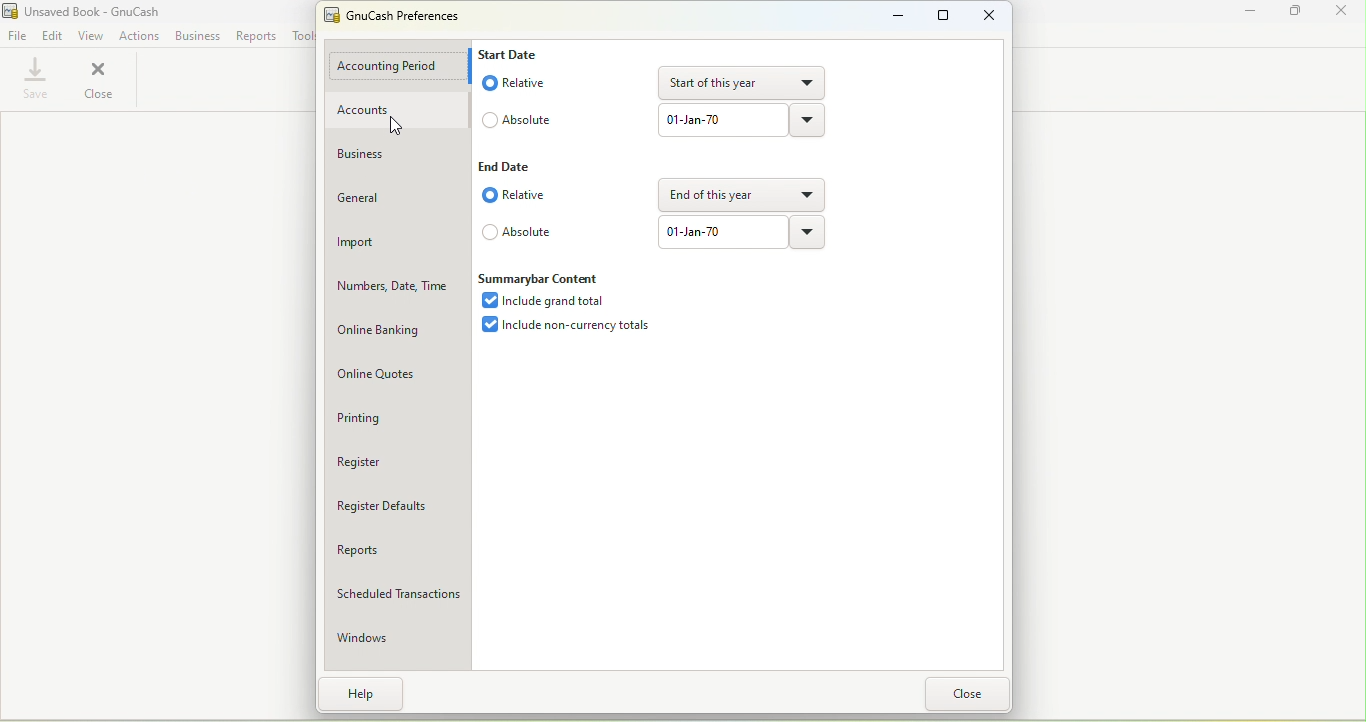 This screenshot has width=1366, height=722. I want to click on GnuCash preferneces, so click(392, 15).